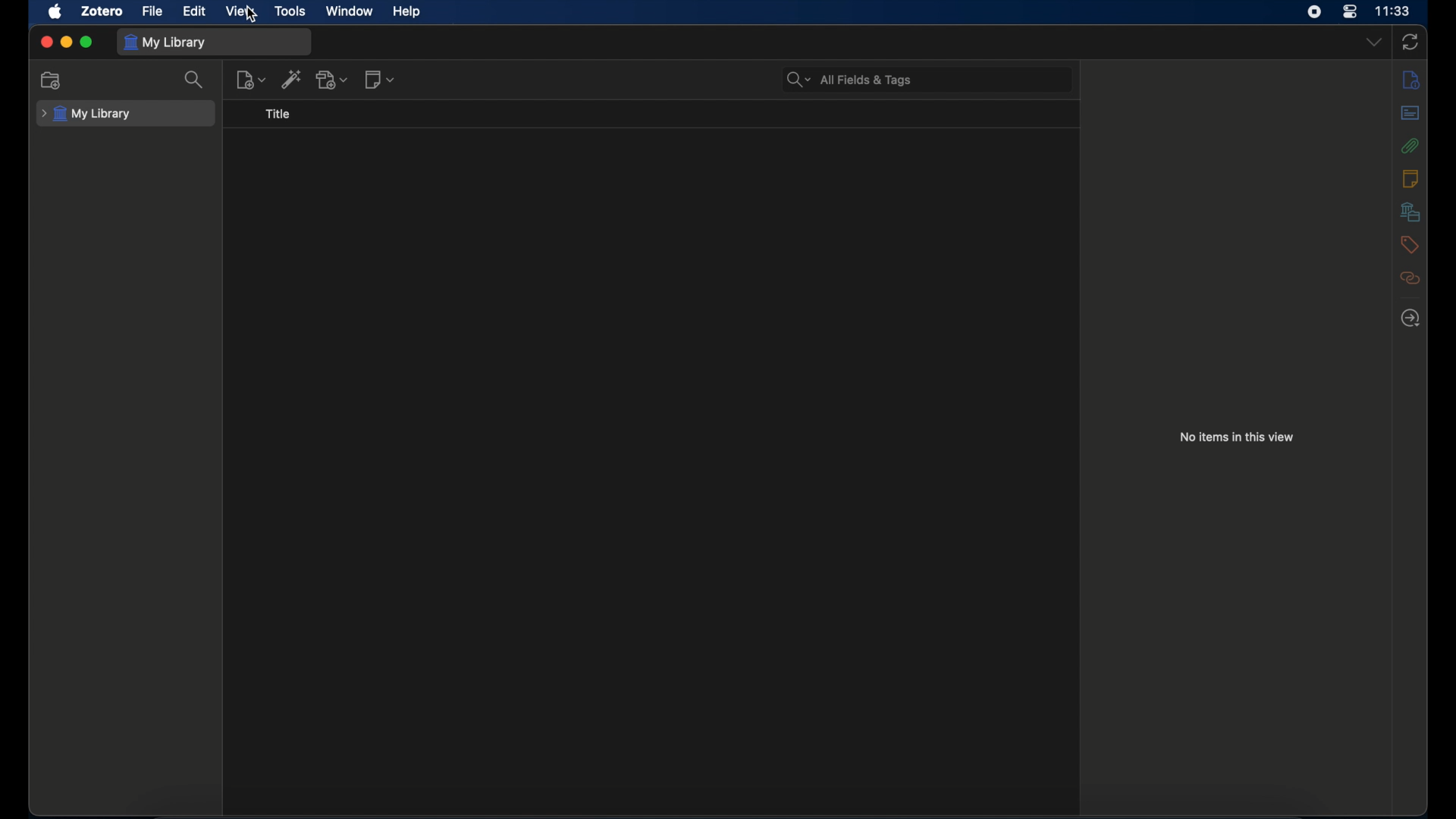 This screenshot has height=819, width=1456. I want to click on minimize, so click(67, 43).